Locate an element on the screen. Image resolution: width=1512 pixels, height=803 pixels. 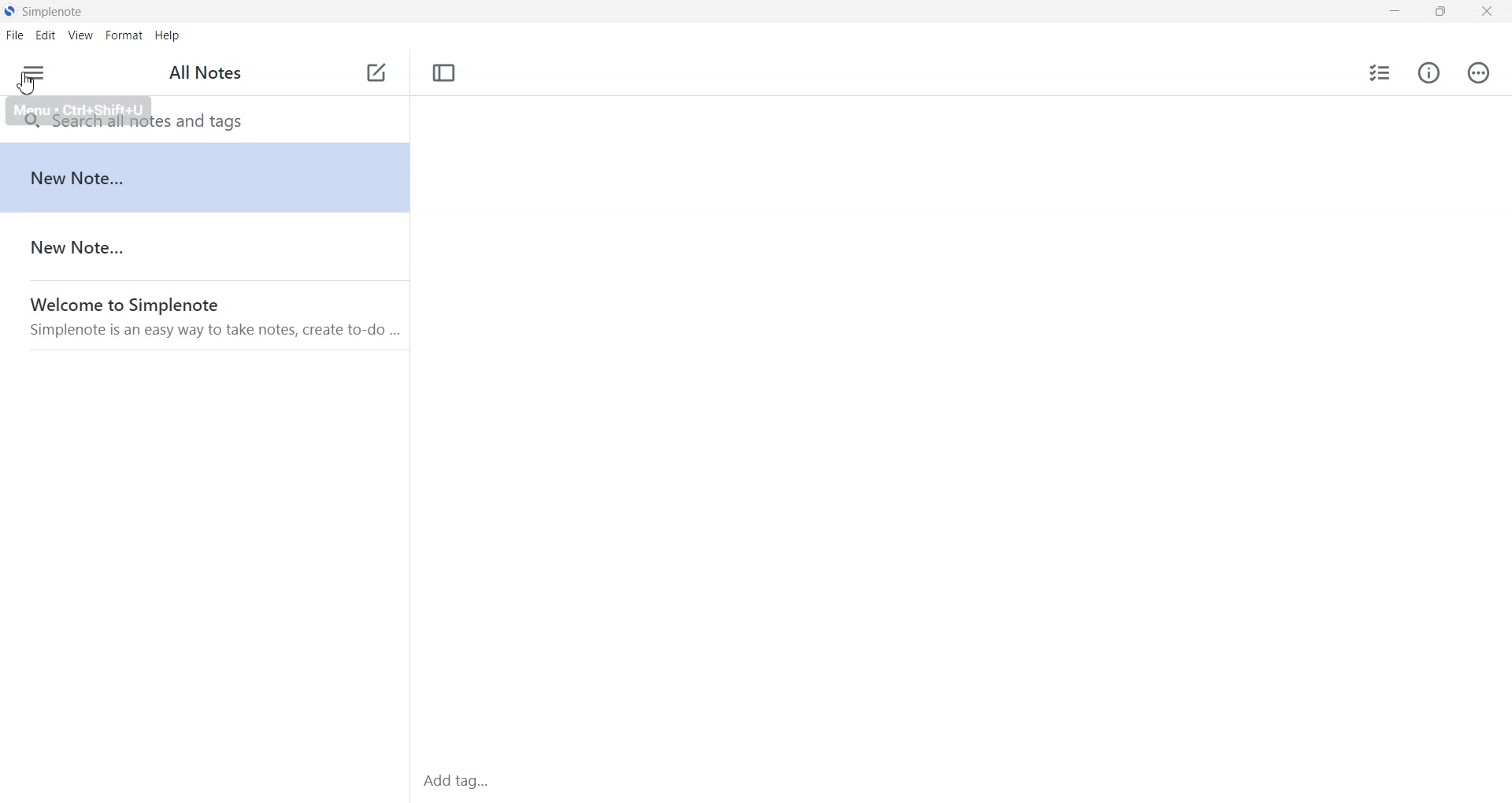
Options is located at coordinates (33, 72).